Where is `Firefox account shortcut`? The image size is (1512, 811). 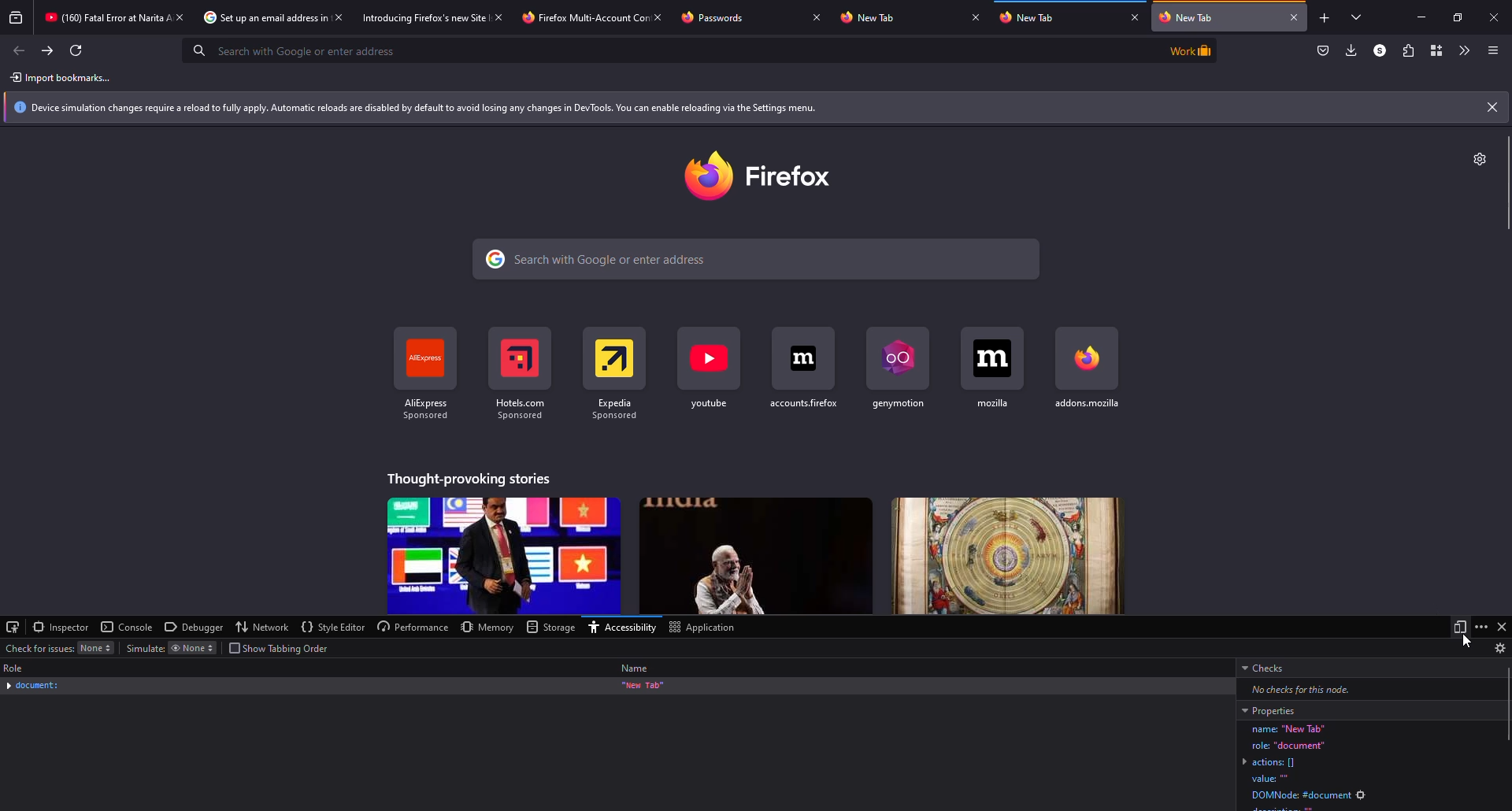
Firefox account shortcut is located at coordinates (803, 370).